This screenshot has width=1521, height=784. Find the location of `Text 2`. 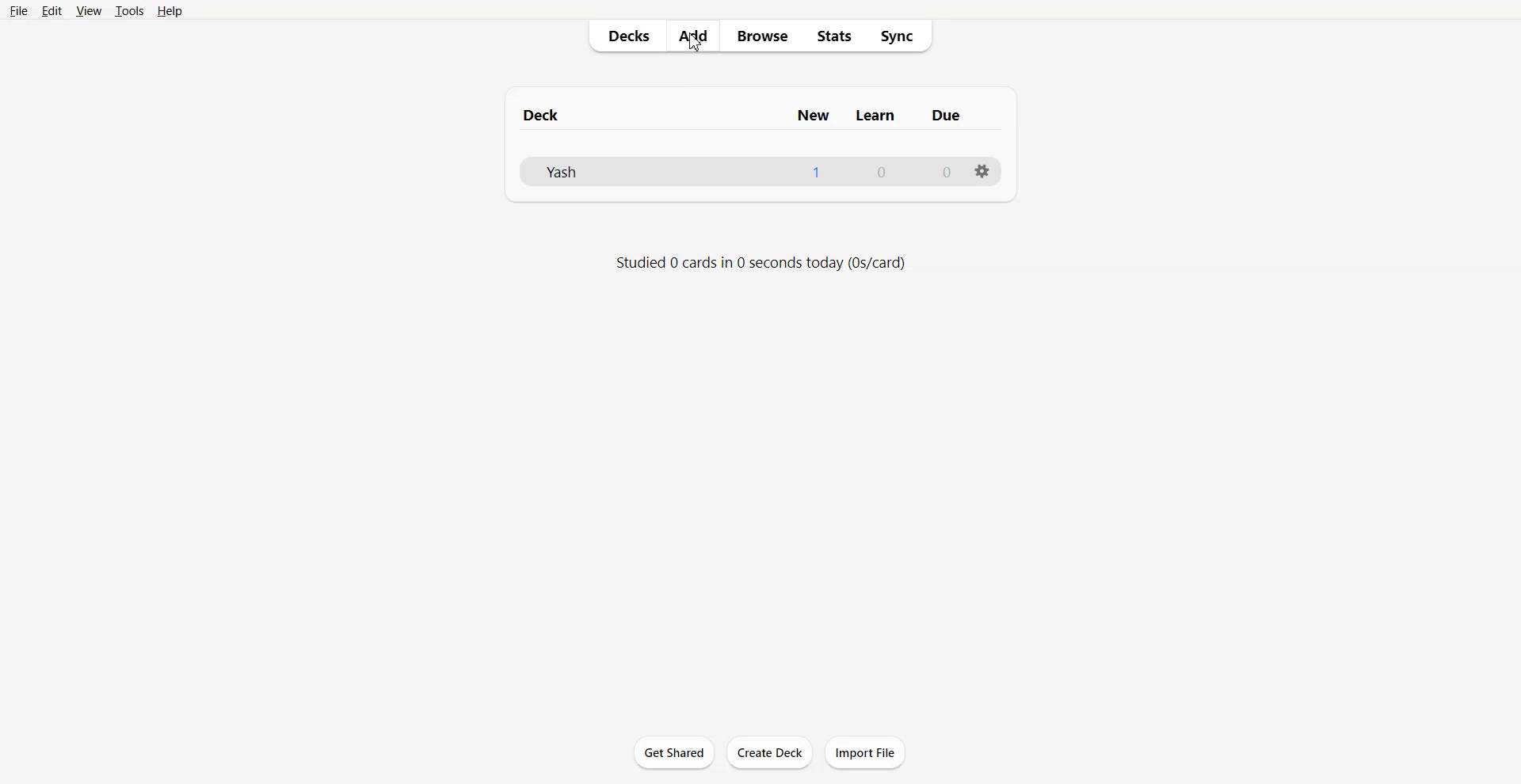

Text 2 is located at coordinates (760, 264).